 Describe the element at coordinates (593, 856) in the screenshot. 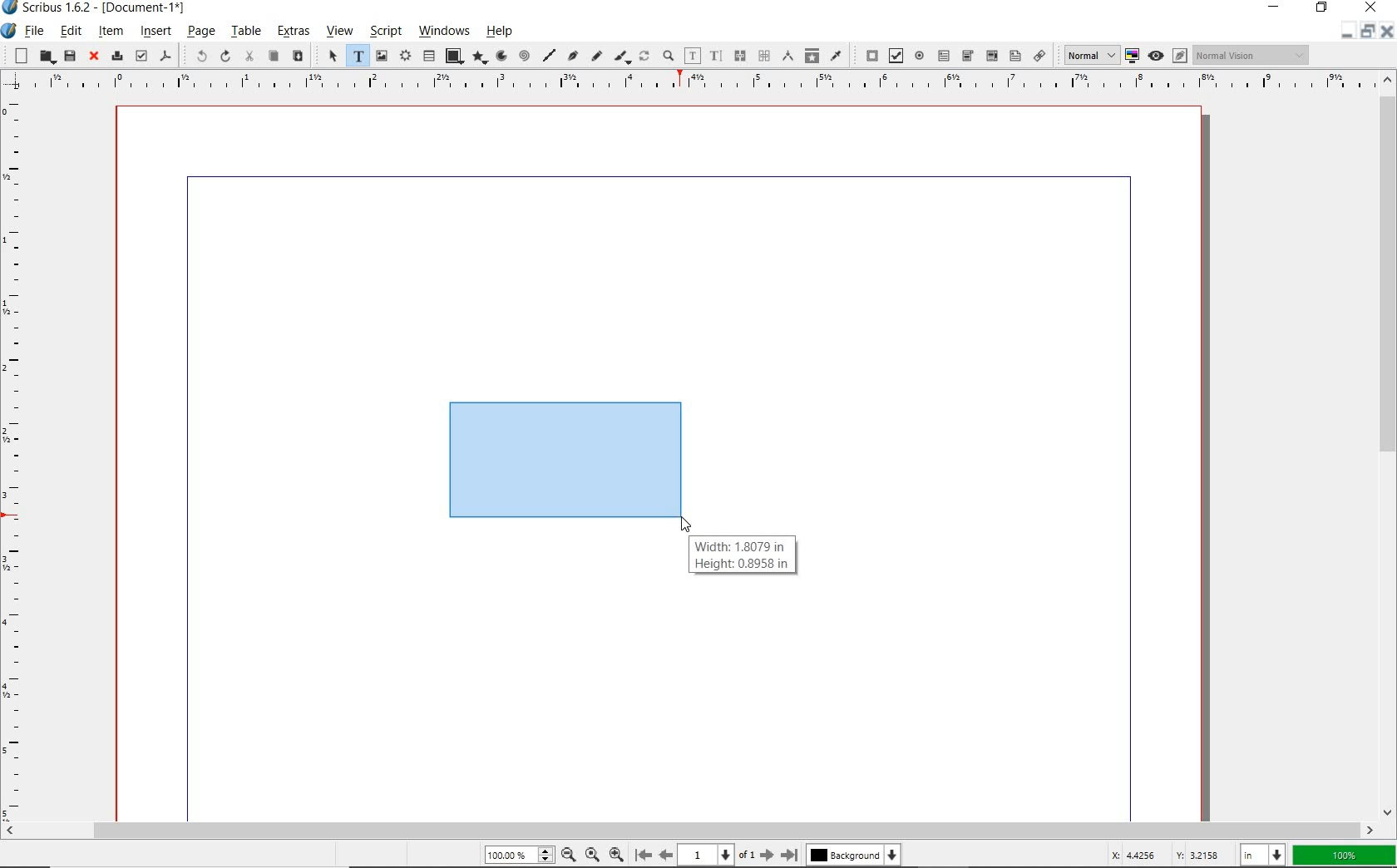

I see `Zoom to 100%` at that location.